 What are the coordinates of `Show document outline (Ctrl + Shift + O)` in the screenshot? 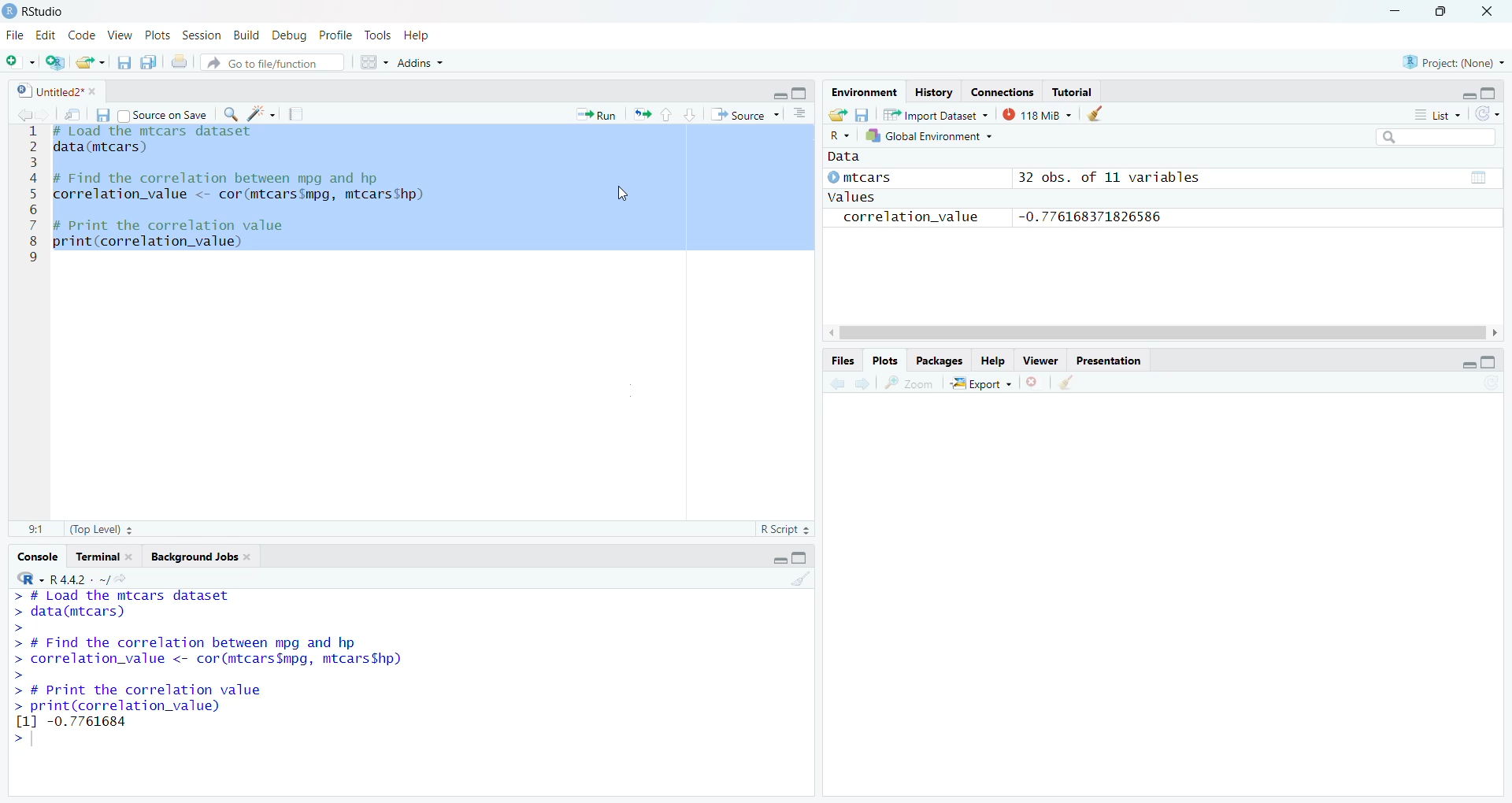 It's located at (802, 113).